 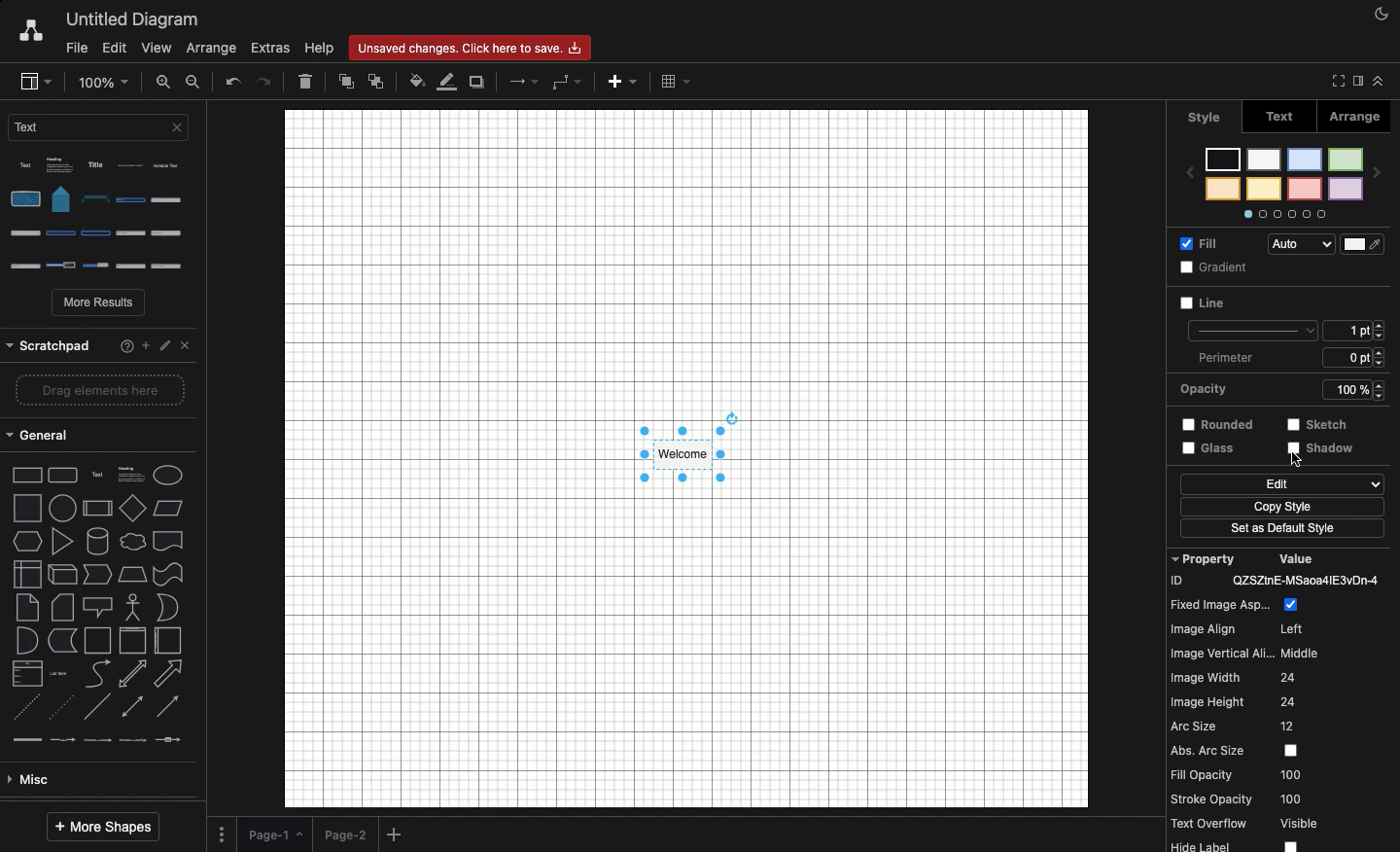 What do you see at coordinates (1329, 424) in the screenshot?
I see `` at bounding box center [1329, 424].